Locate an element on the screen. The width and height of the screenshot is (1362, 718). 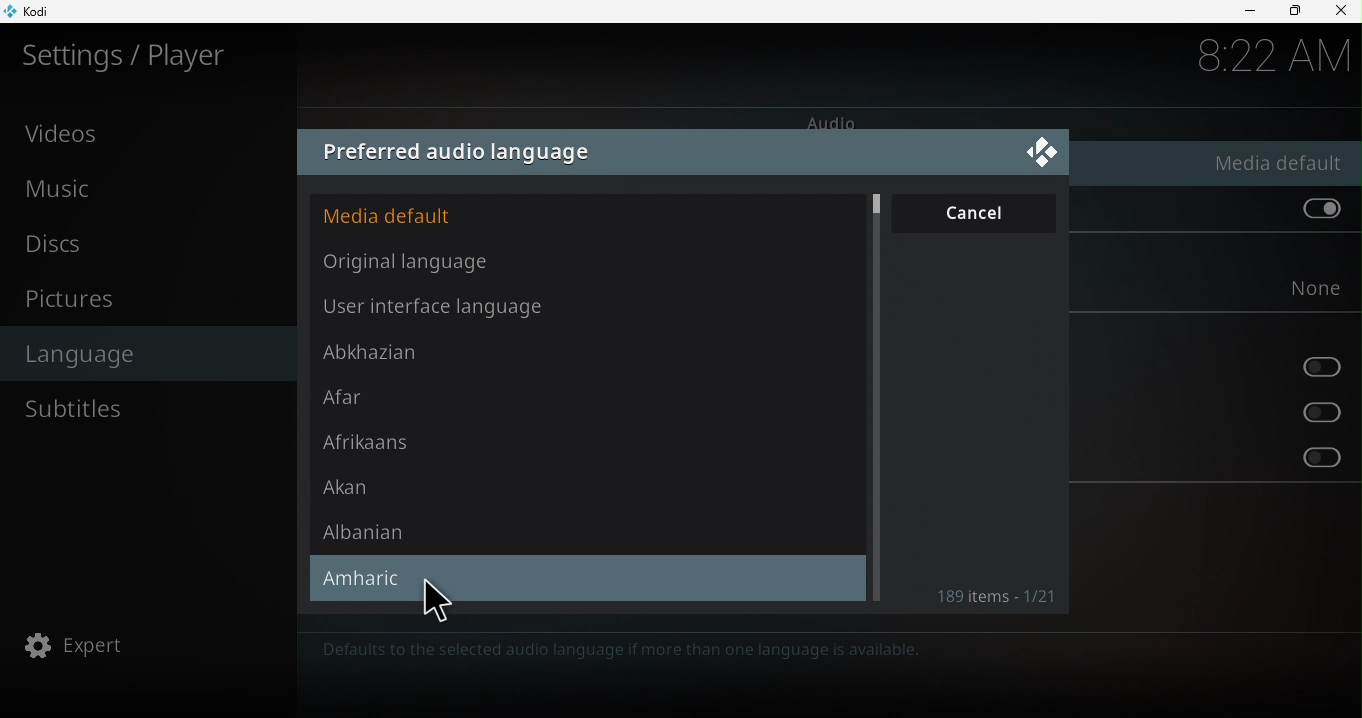
Afrikaans is located at coordinates (577, 446).